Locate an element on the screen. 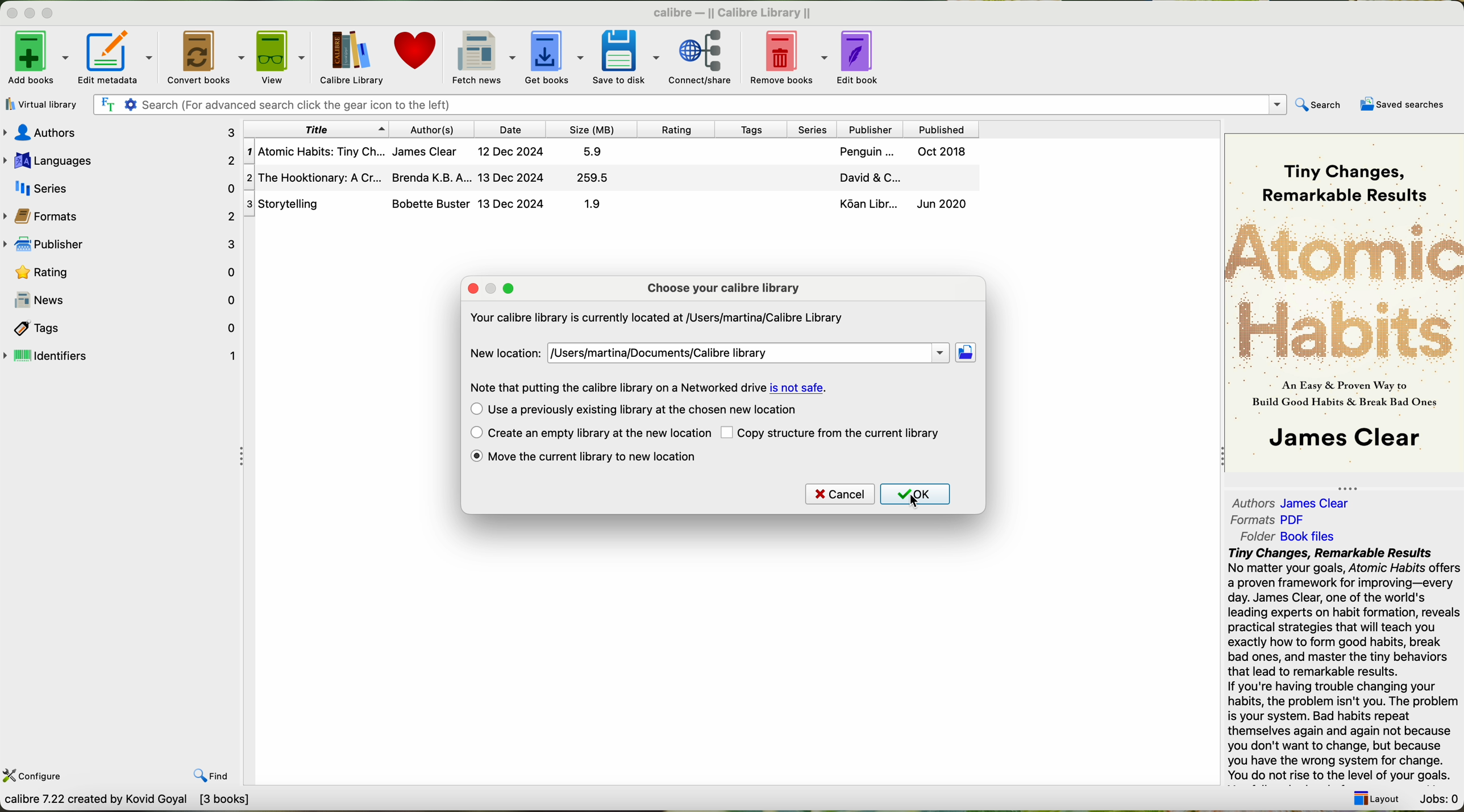 The height and width of the screenshot is (812, 1464). authors is located at coordinates (119, 131).